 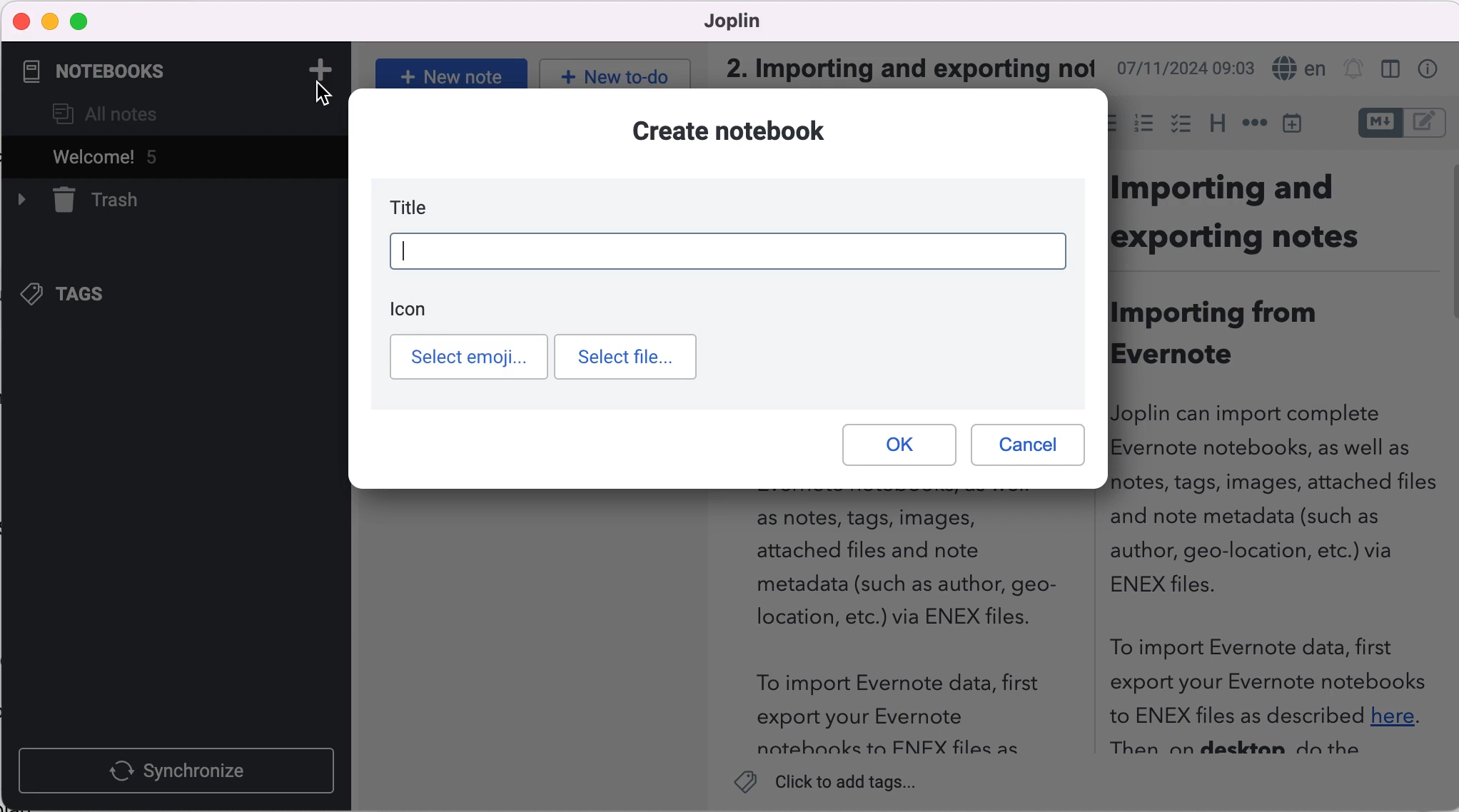 What do you see at coordinates (1252, 124) in the screenshot?
I see `horizontal rules` at bounding box center [1252, 124].